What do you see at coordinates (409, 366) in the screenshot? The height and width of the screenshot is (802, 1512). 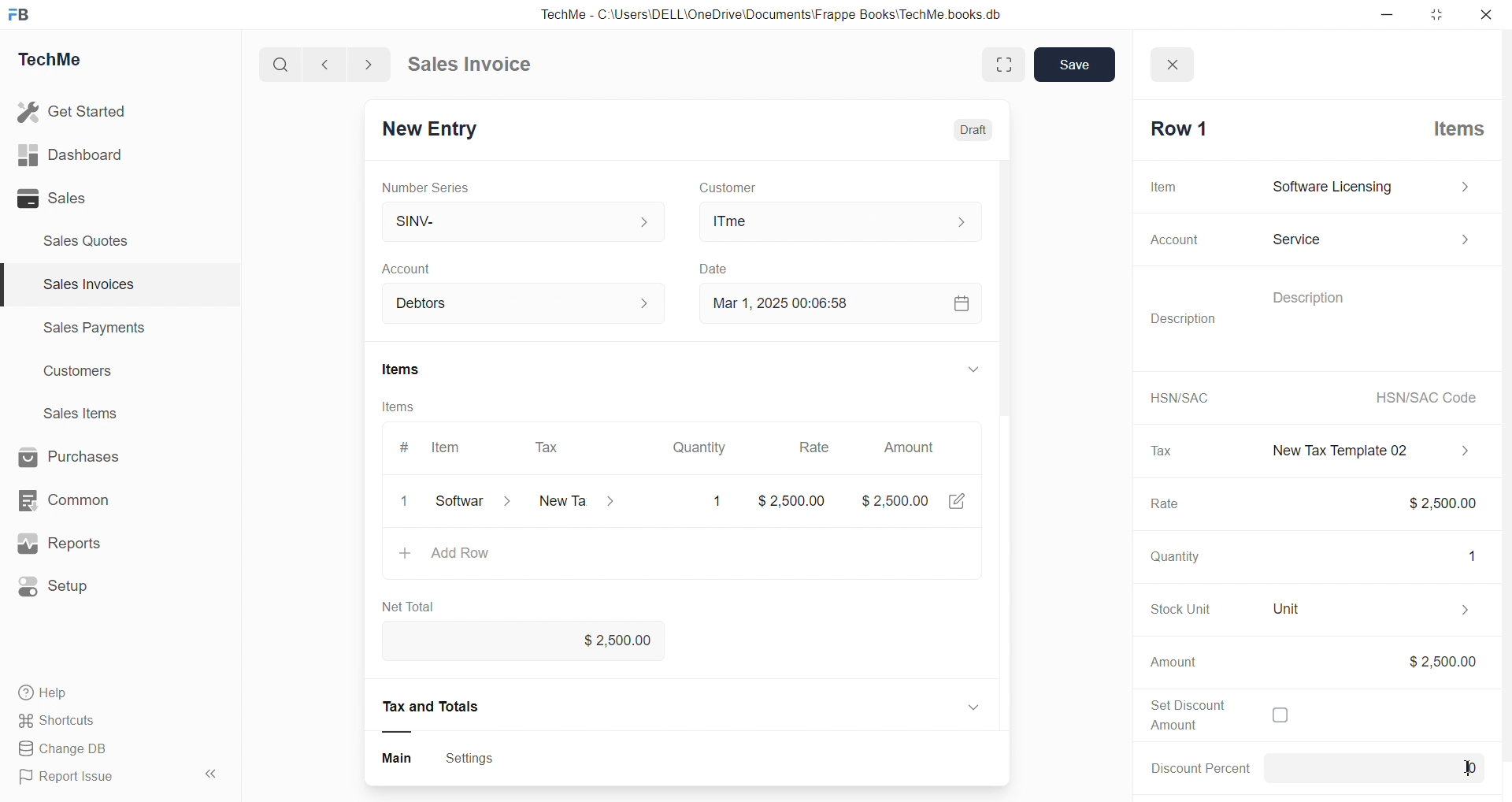 I see `Items` at bounding box center [409, 366].